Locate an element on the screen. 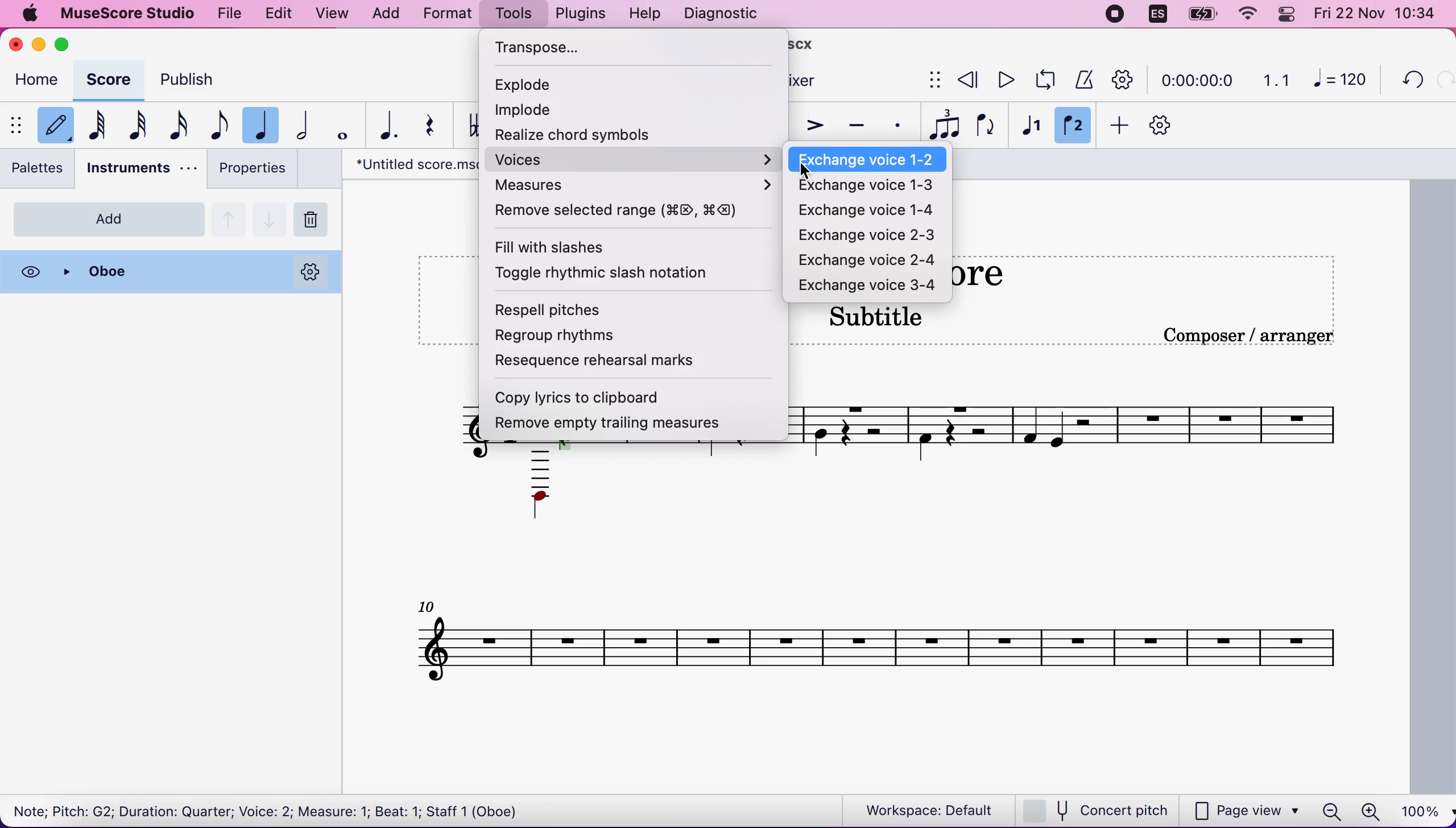 The width and height of the screenshot is (1456, 828). edit is located at coordinates (280, 15).